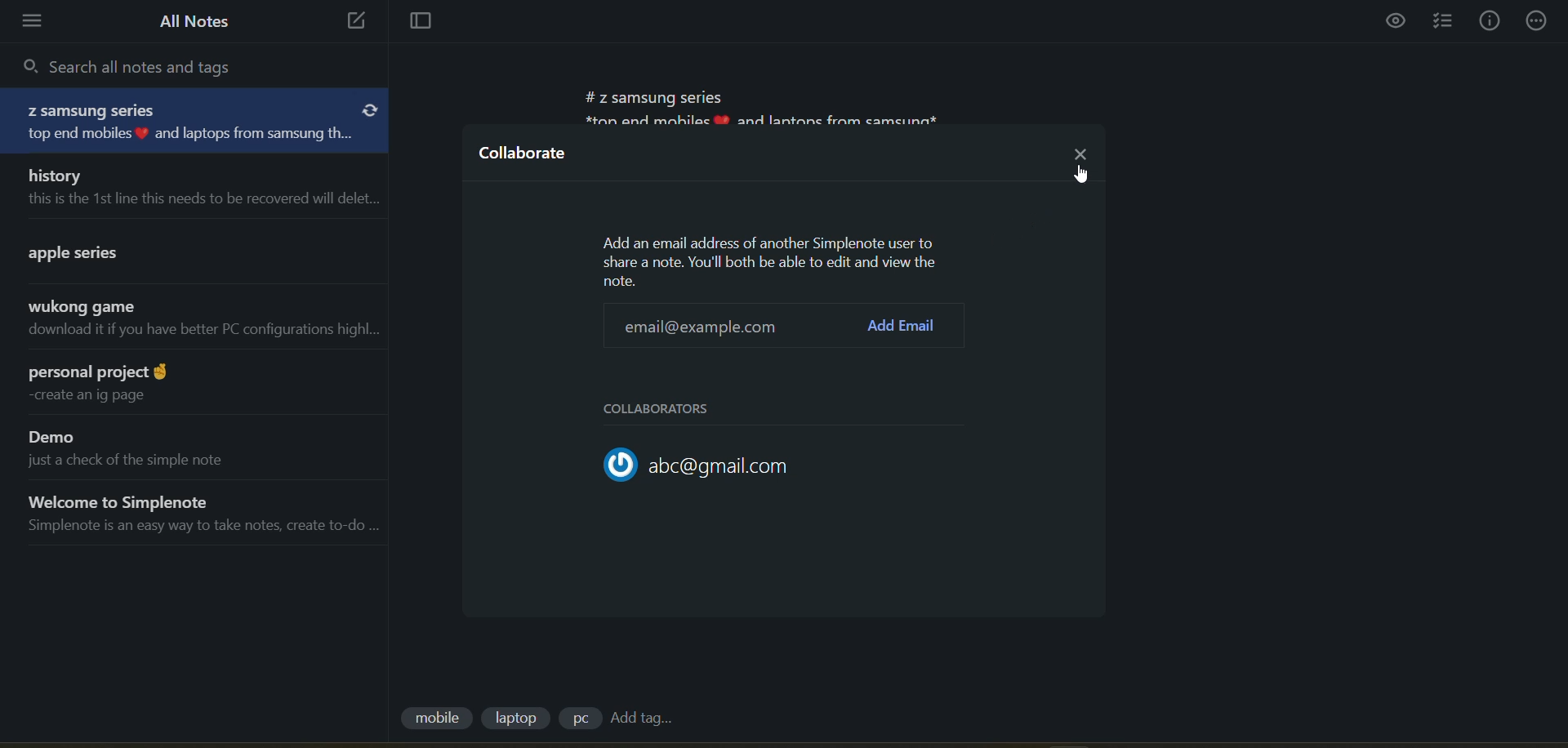  Describe the element at coordinates (196, 514) in the screenshot. I see `note title and preview` at that location.